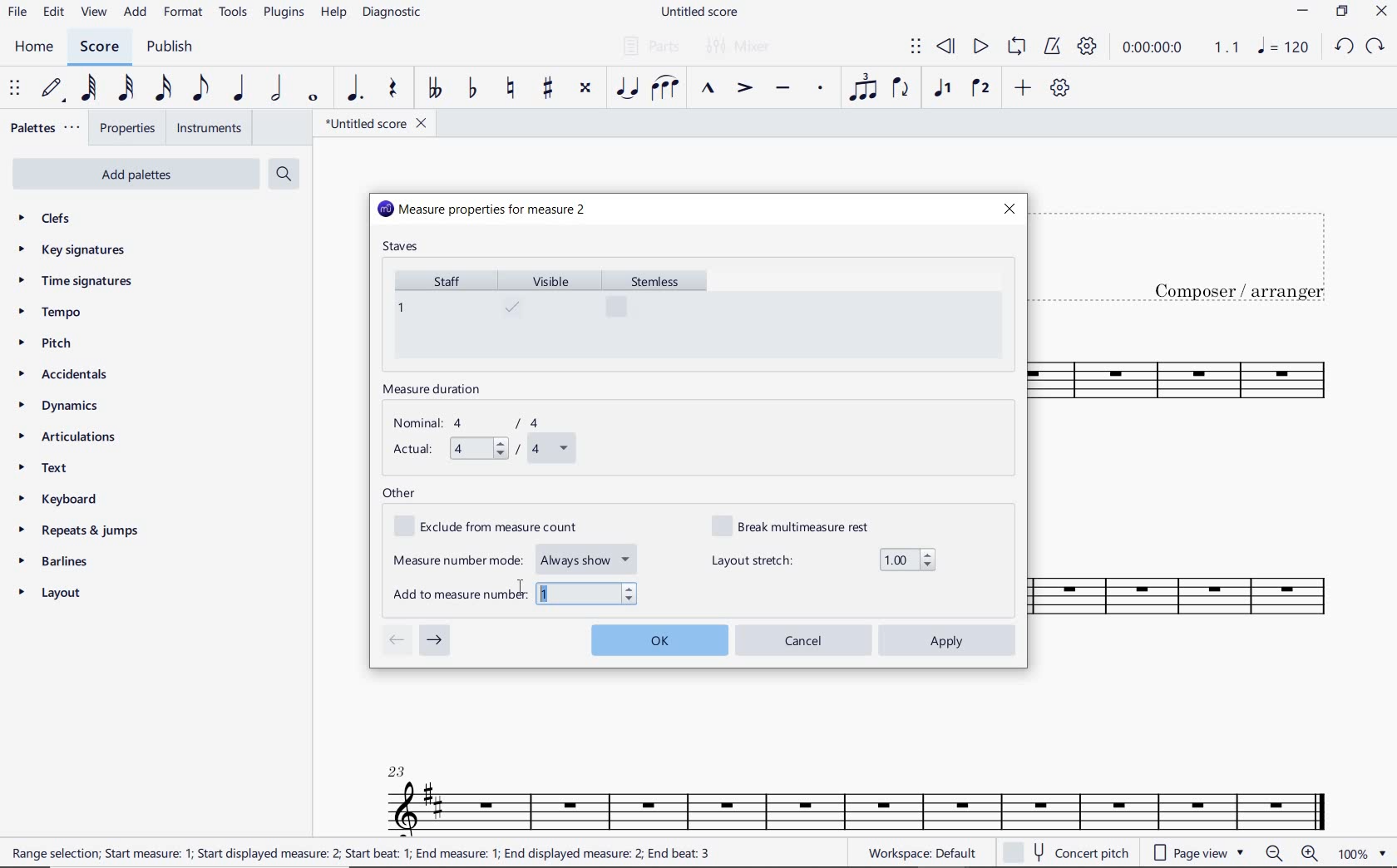 The height and width of the screenshot is (868, 1397). What do you see at coordinates (946, 47) in the screenshot?
I see `REWIND` at bounding box center [946, 47].